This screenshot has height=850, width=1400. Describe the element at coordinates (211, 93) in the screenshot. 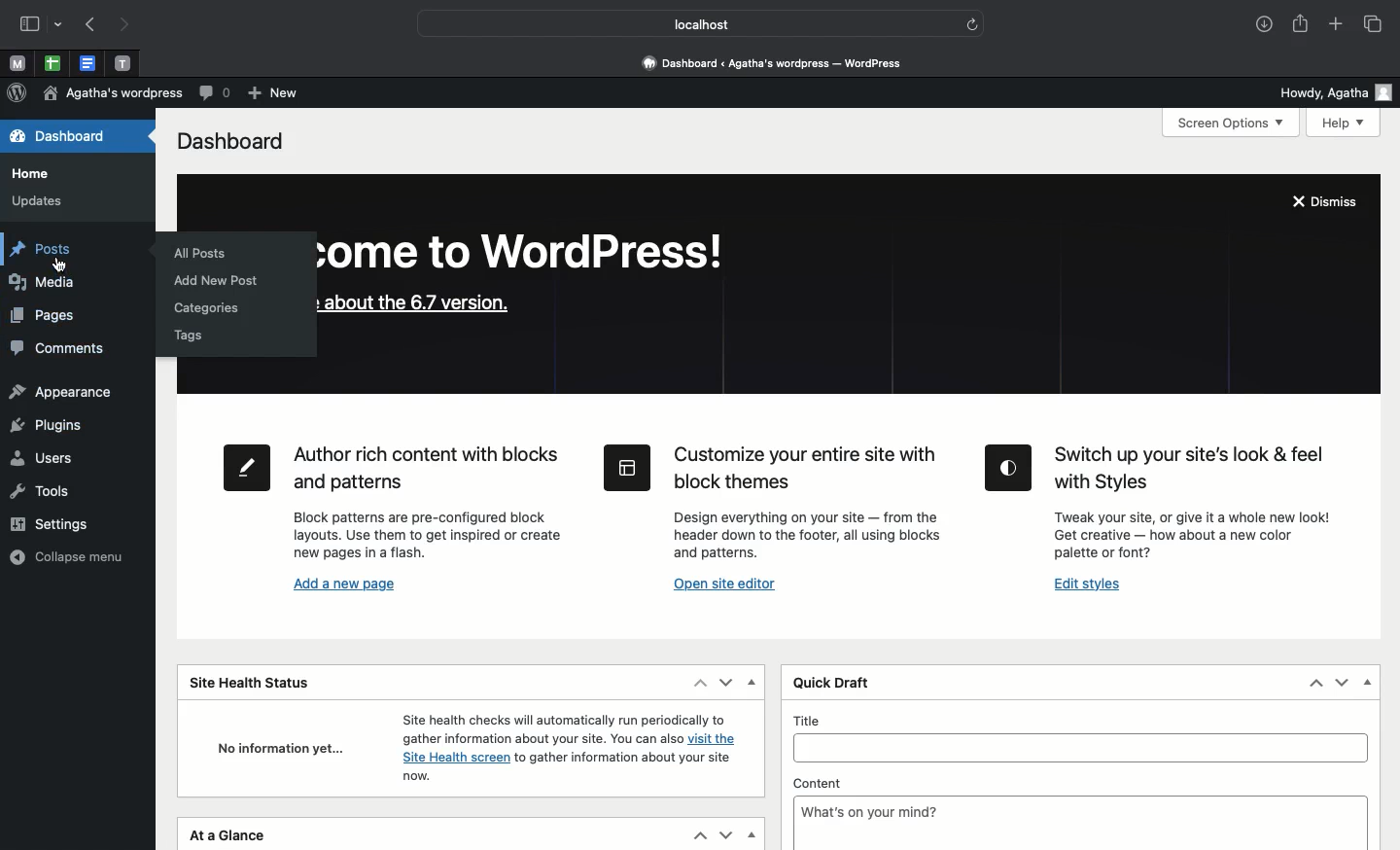

I see `Comment` at that location.